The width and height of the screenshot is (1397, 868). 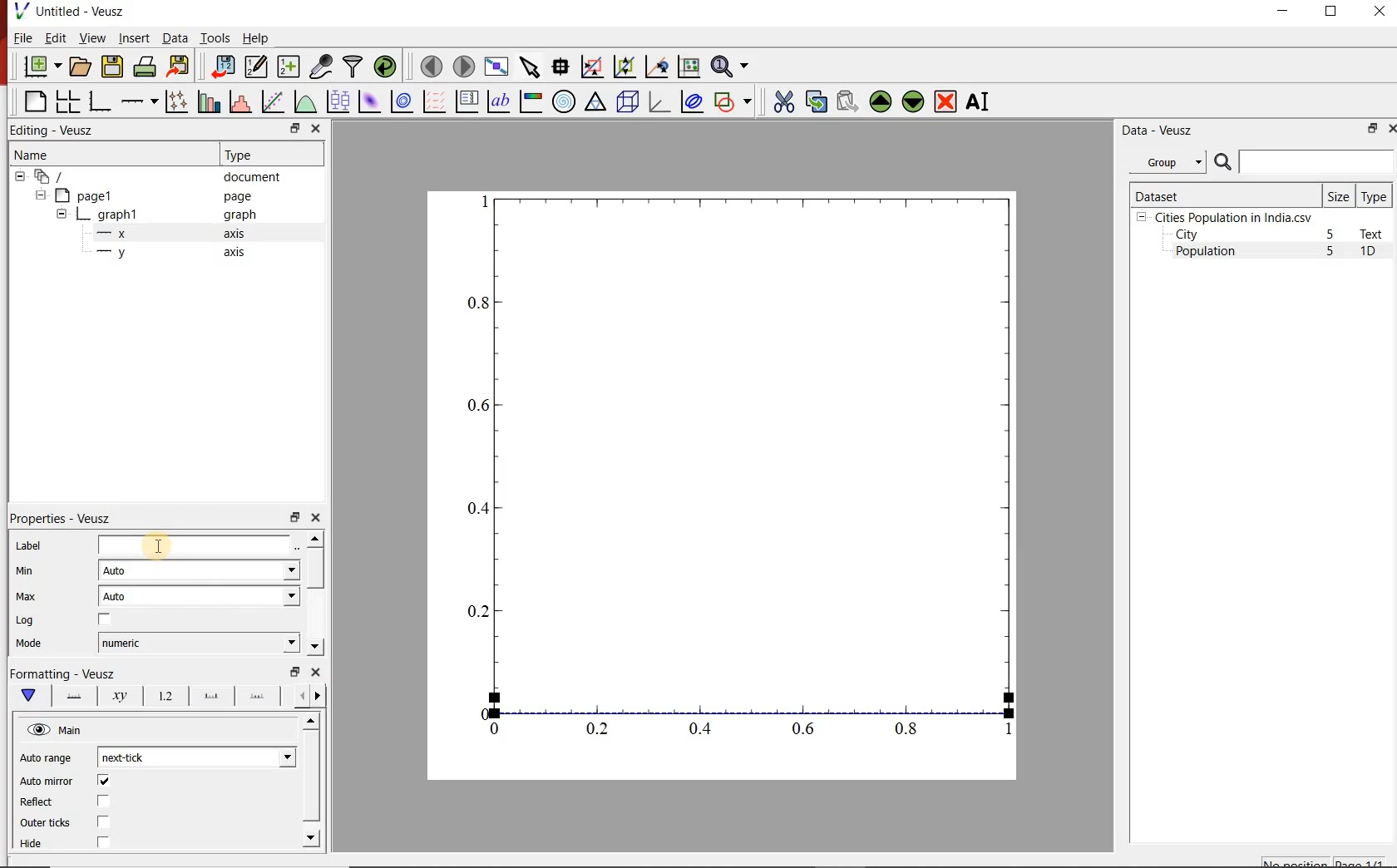 What do you see at coordinates (27, 621) in the screenshot?
I see `Log` at bounding box center [27, 621].